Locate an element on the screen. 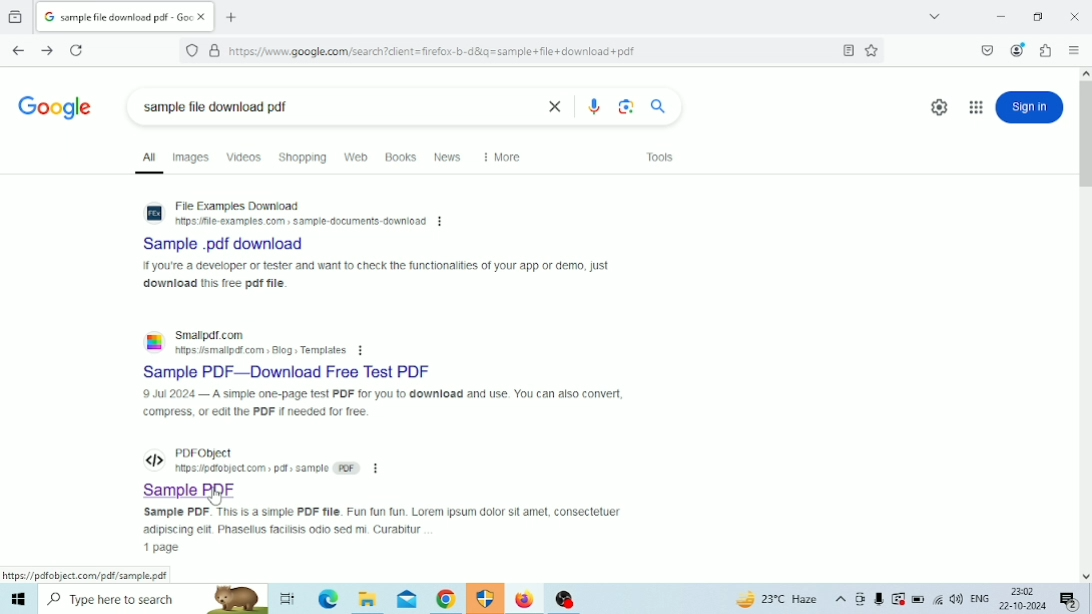 The image size is (1092, 614). All is located at coordinates (149, 161).